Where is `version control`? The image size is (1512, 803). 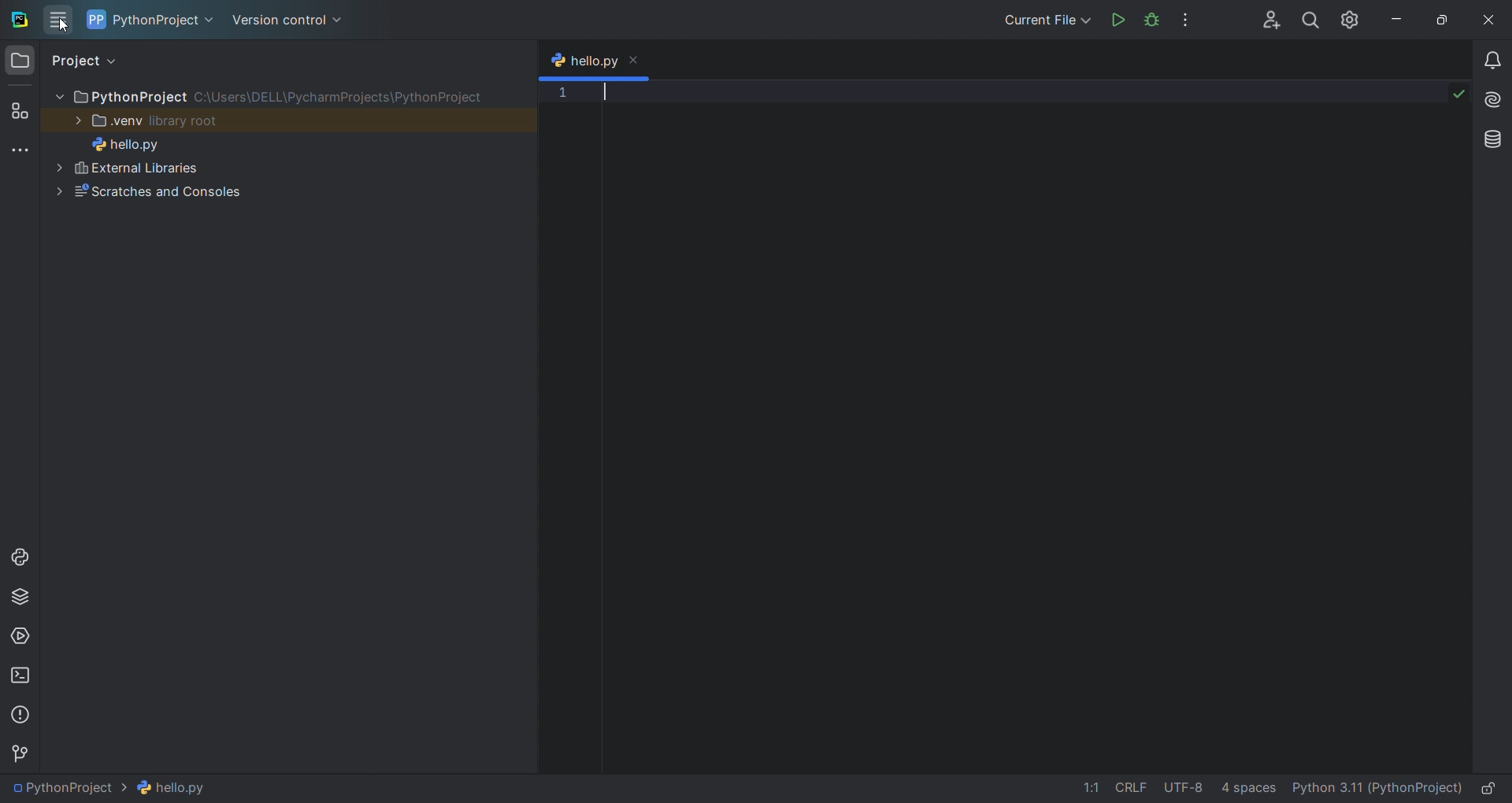
version control is located at coordinates (288, 20).